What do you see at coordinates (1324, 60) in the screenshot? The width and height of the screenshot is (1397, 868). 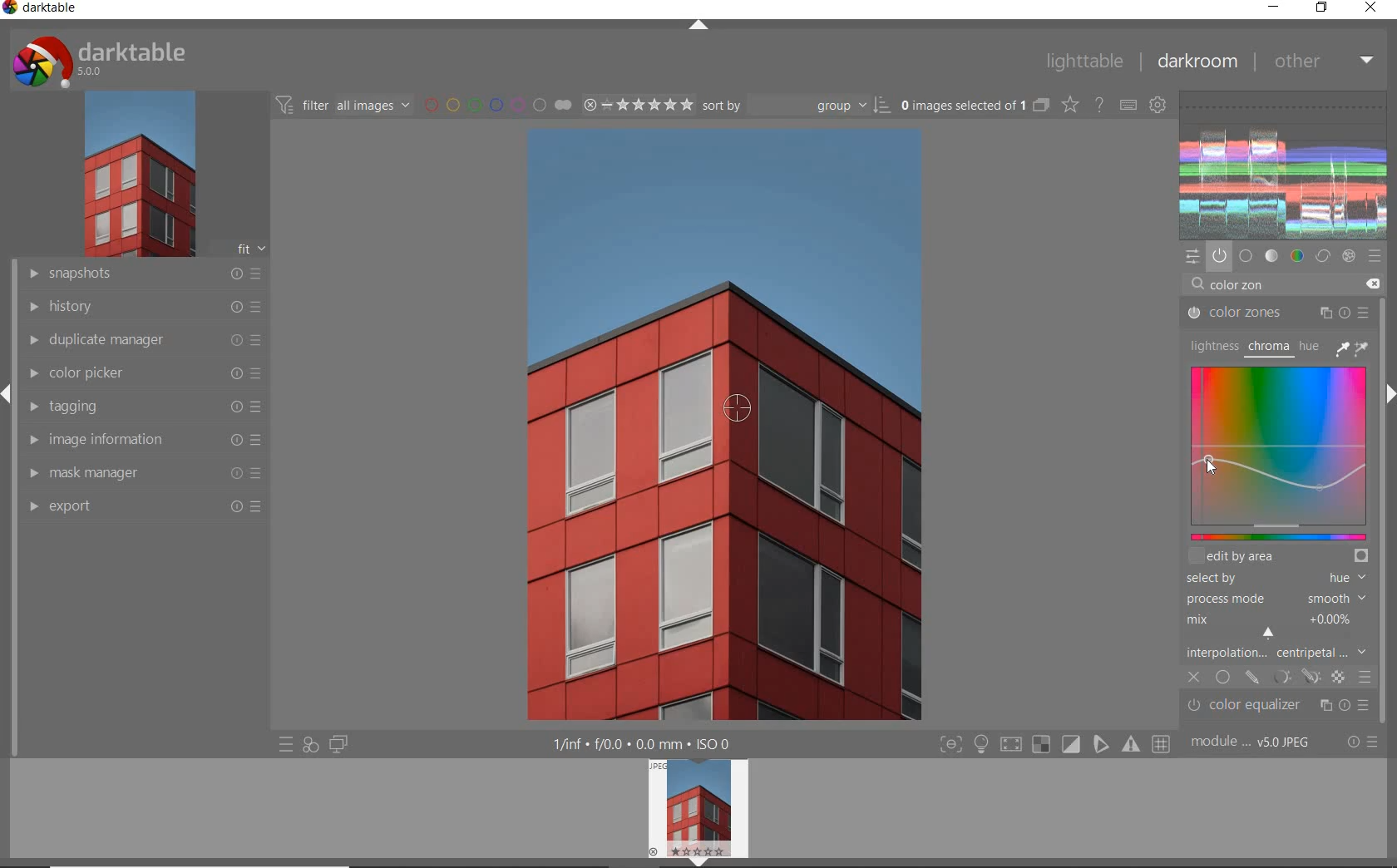 I see `other` at bounding box center [1324, 60].